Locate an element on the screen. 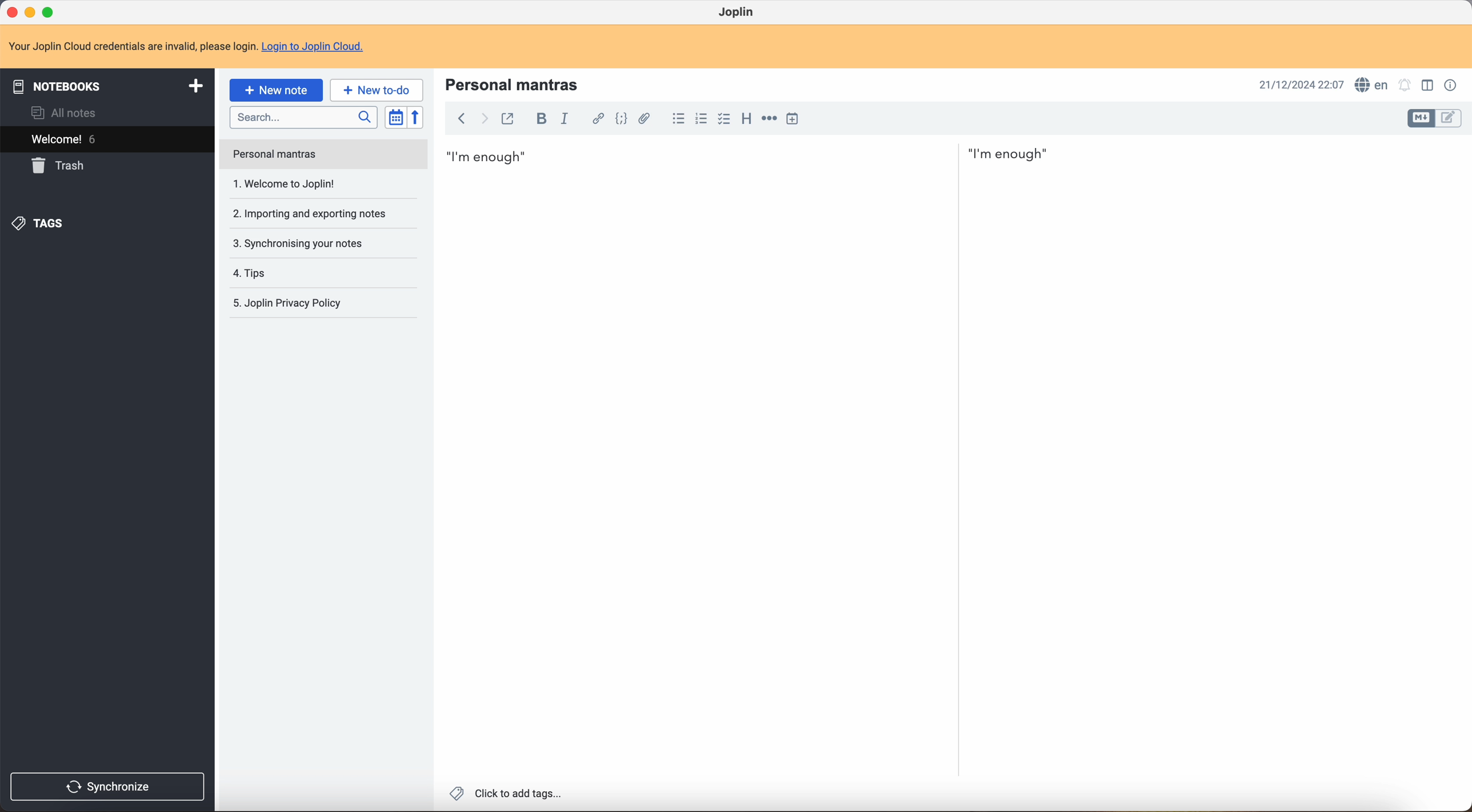 This screenshot has height=812, width=1472. foward is located at coordinates (485, 119).